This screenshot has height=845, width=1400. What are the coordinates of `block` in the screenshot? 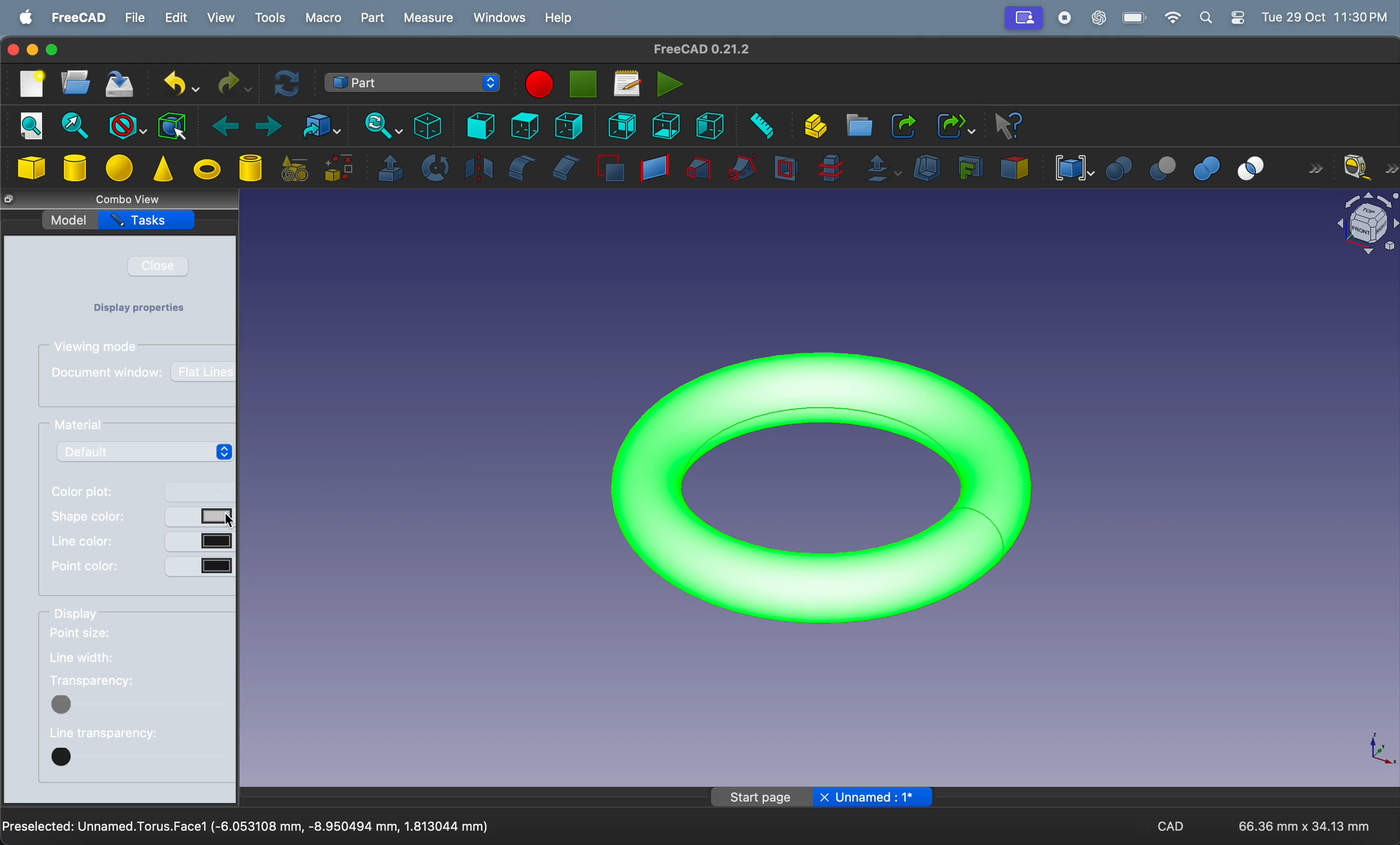 It's located at (124, 123).